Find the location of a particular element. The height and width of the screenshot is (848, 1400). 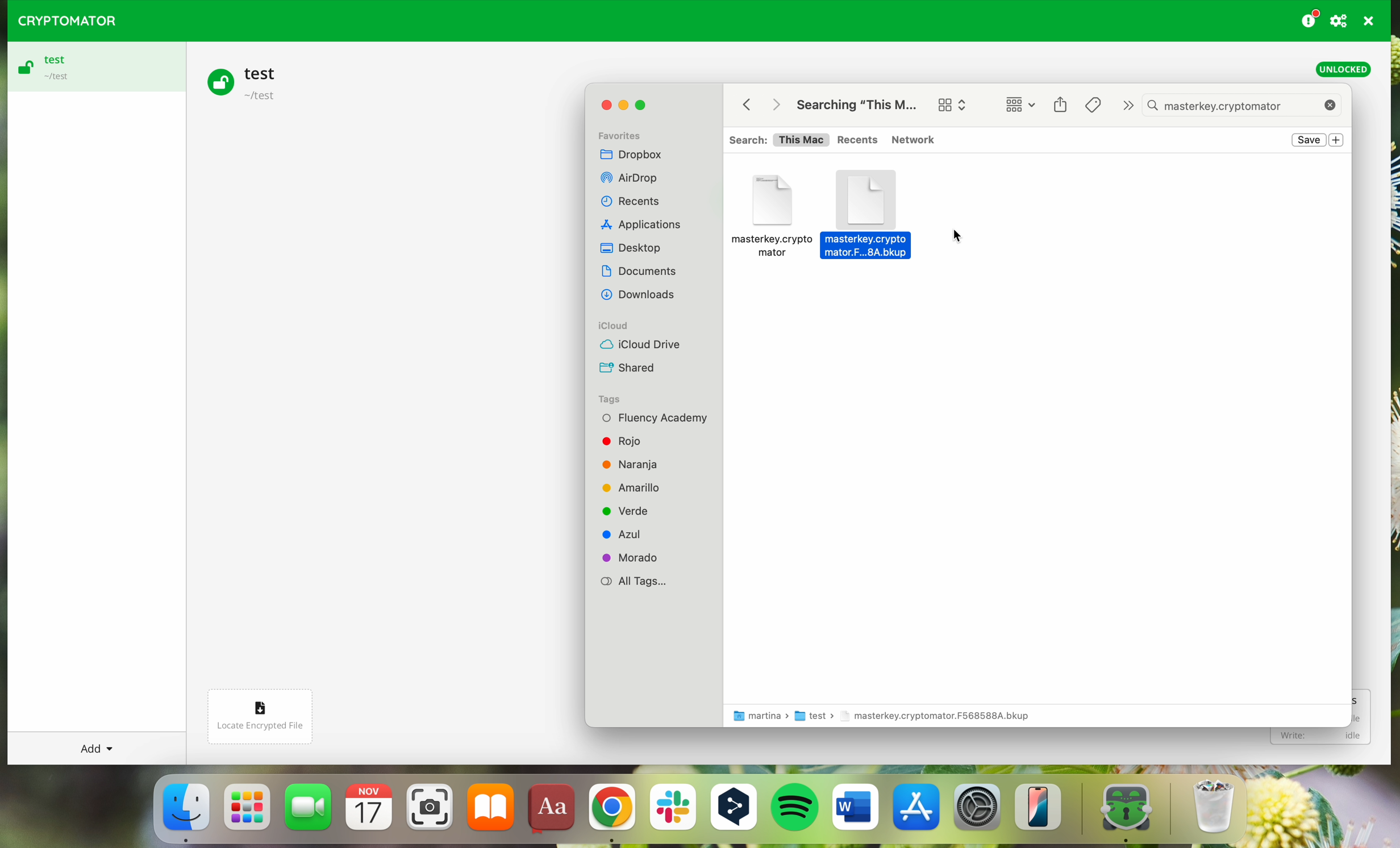

 is located at coordinates (639, 177).